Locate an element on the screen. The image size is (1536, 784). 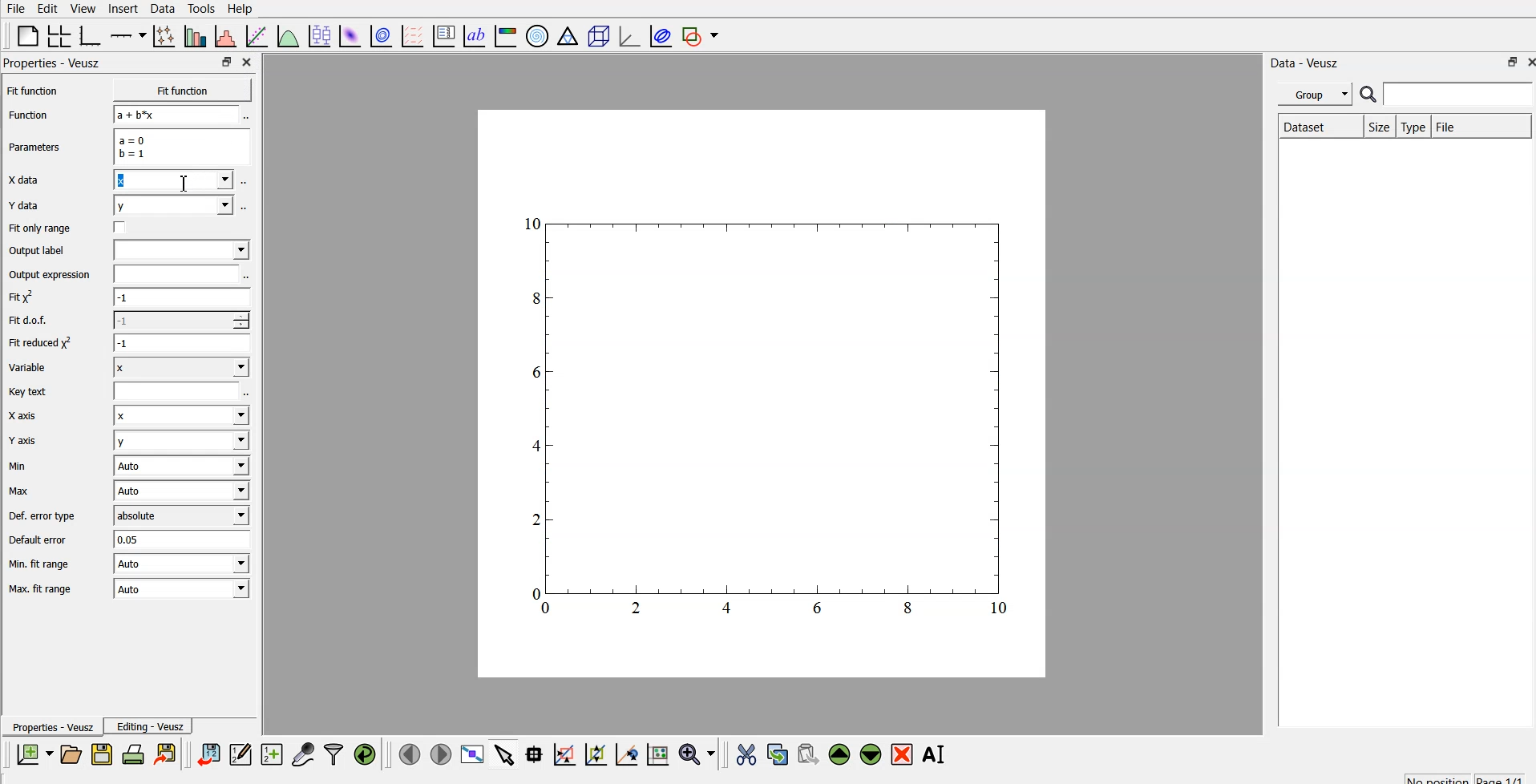
zoom functions menu is located at coordinates (697, 757).